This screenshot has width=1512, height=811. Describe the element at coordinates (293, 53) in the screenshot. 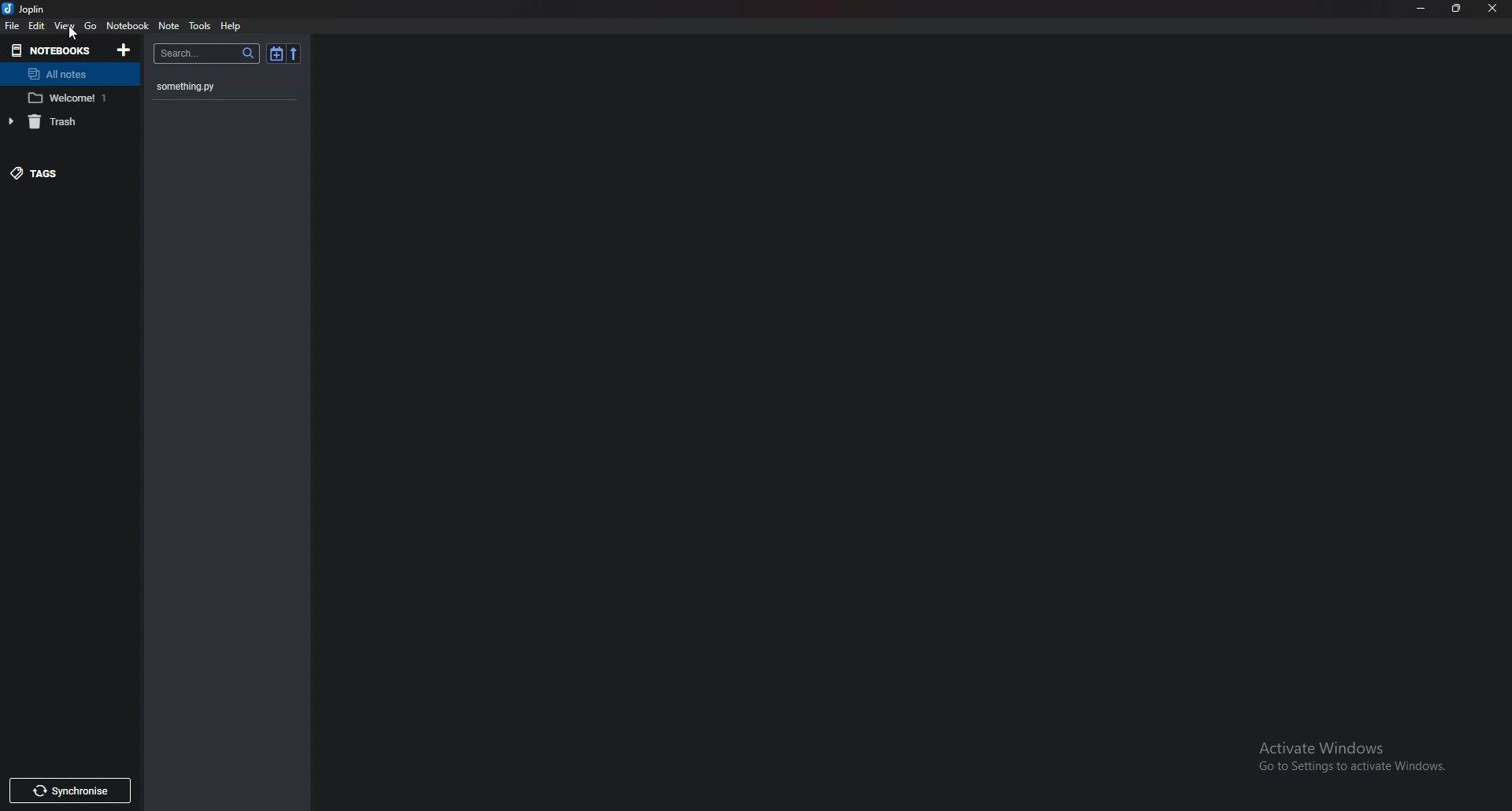

I see `Reverse sort order` at that location.